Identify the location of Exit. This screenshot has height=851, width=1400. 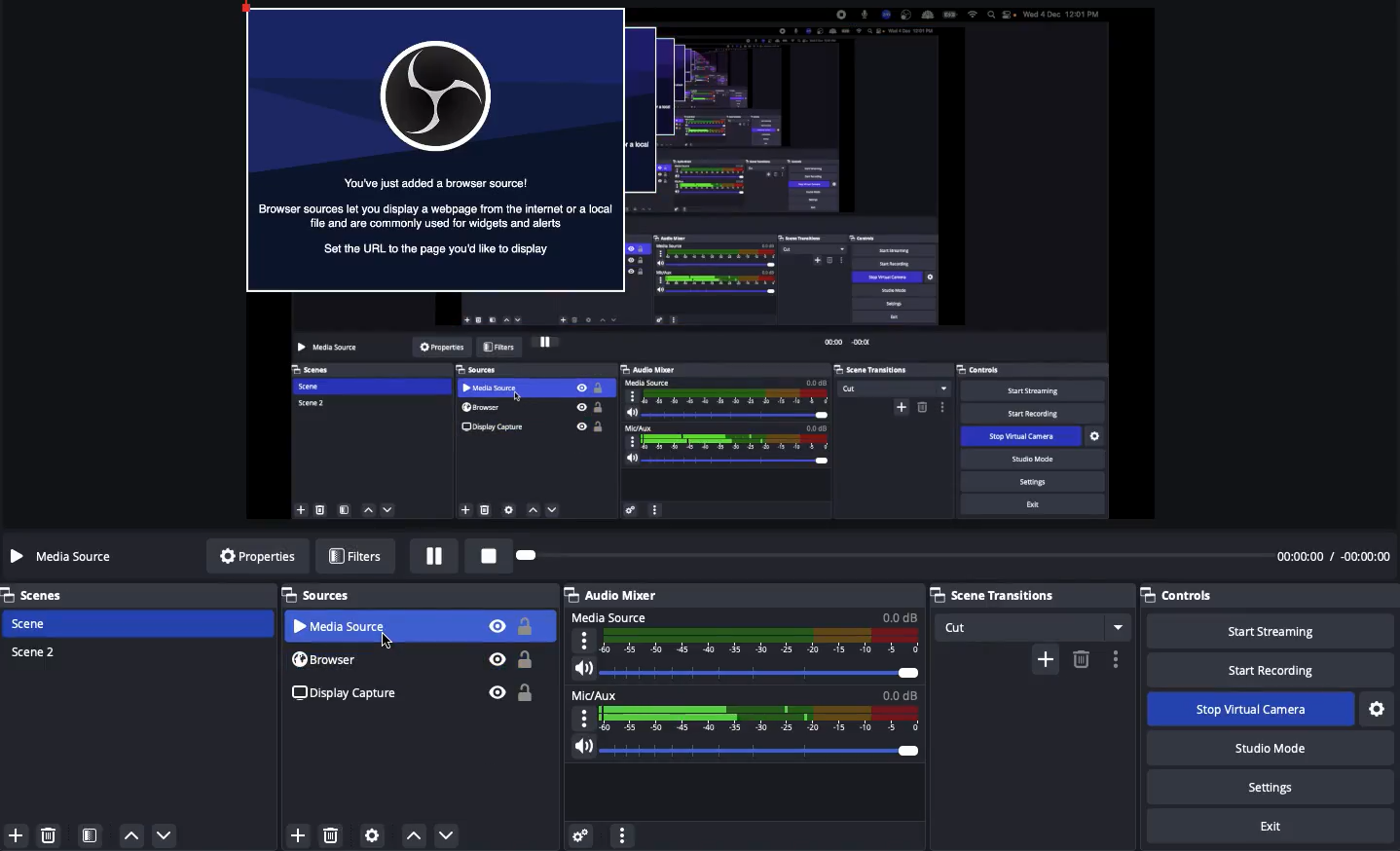
(1276, 827).